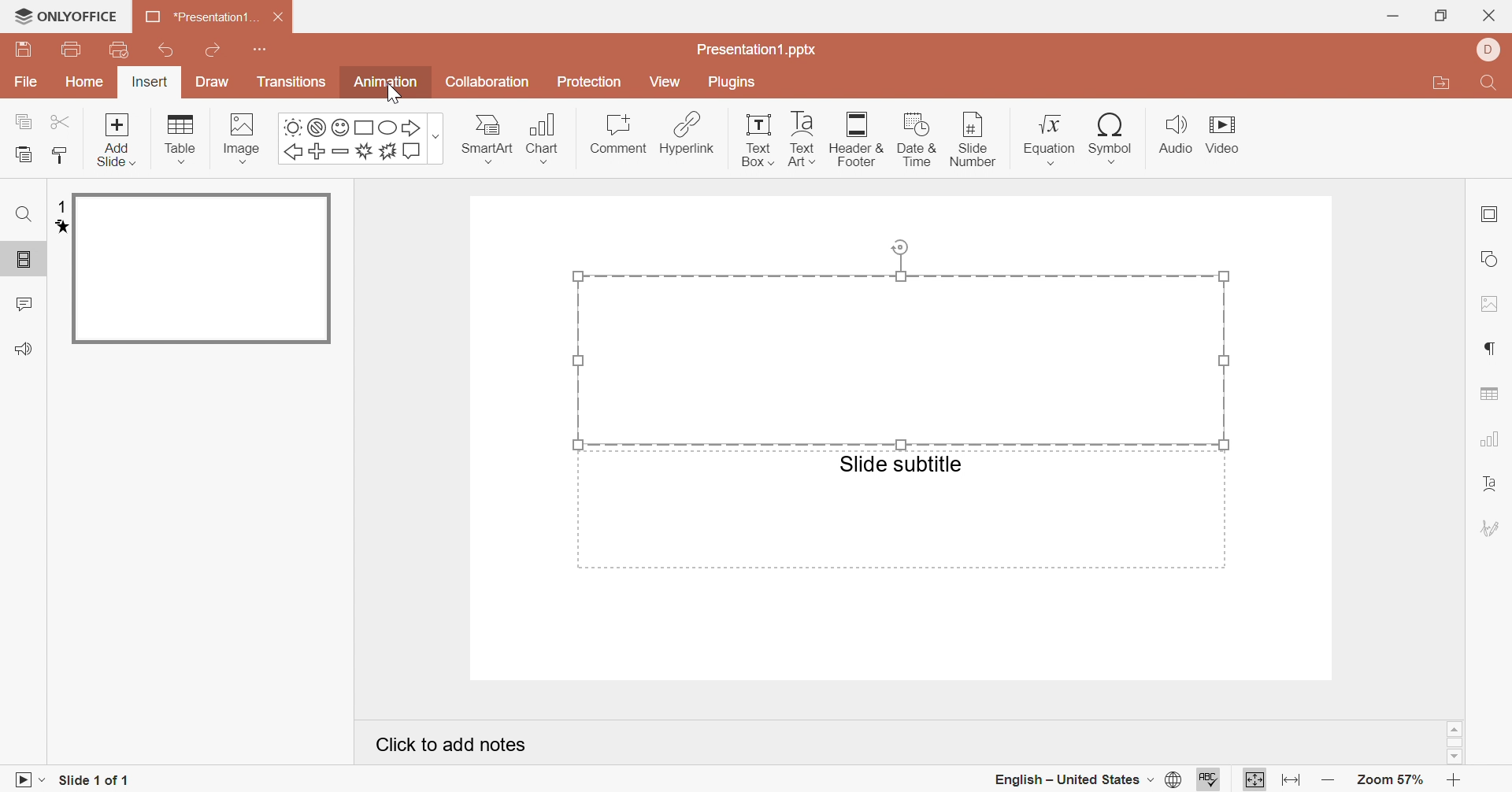 This screenshot has height=792, width=1512. Describe the element at coordinates (1048, 139) in the screenshot. I see `equation` at that location.